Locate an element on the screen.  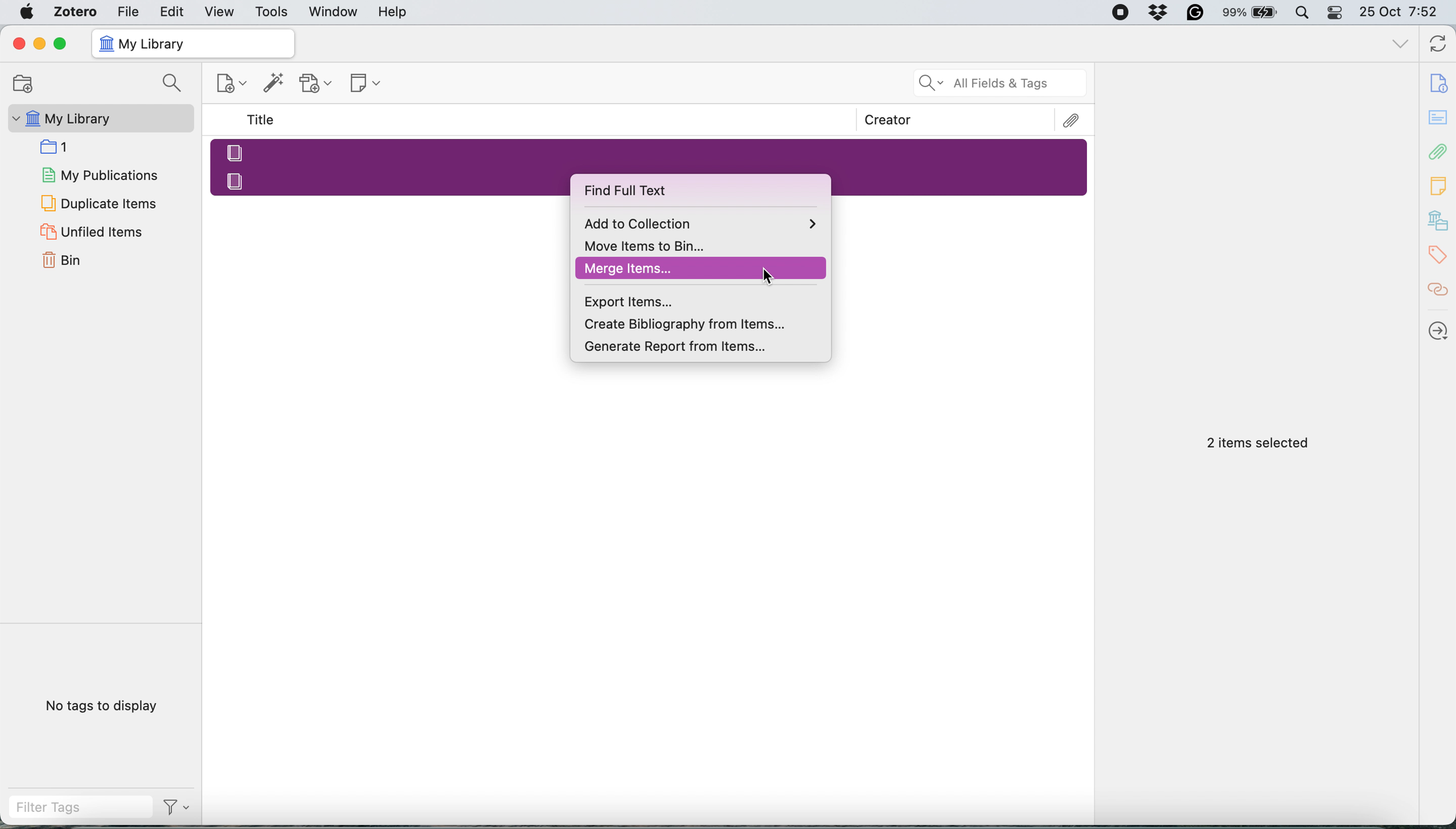
list all tabs is located at coordinates (1401, 46).